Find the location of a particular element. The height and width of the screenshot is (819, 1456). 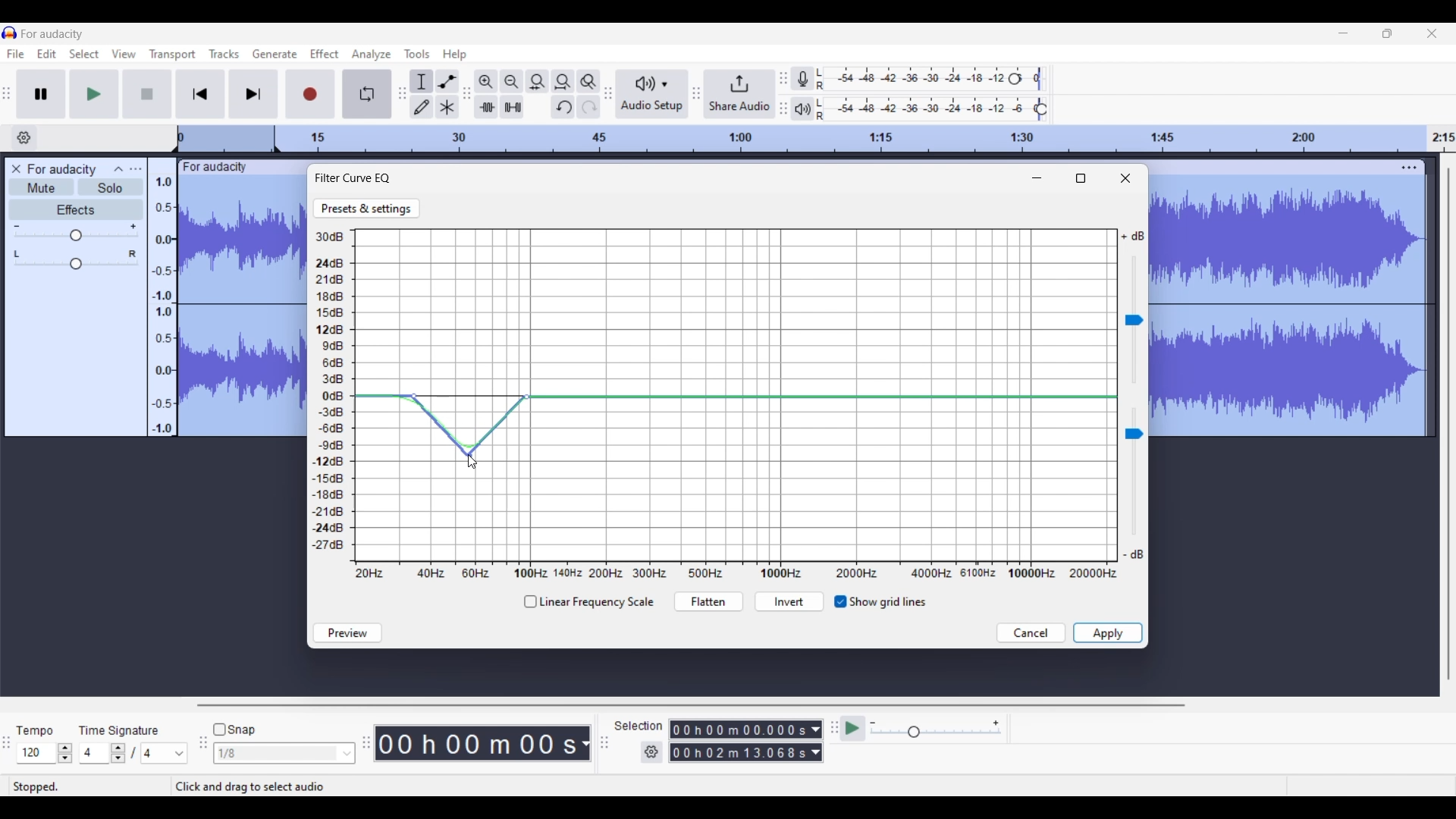

Vertical slide bar is located at coordinates (1448, 423).